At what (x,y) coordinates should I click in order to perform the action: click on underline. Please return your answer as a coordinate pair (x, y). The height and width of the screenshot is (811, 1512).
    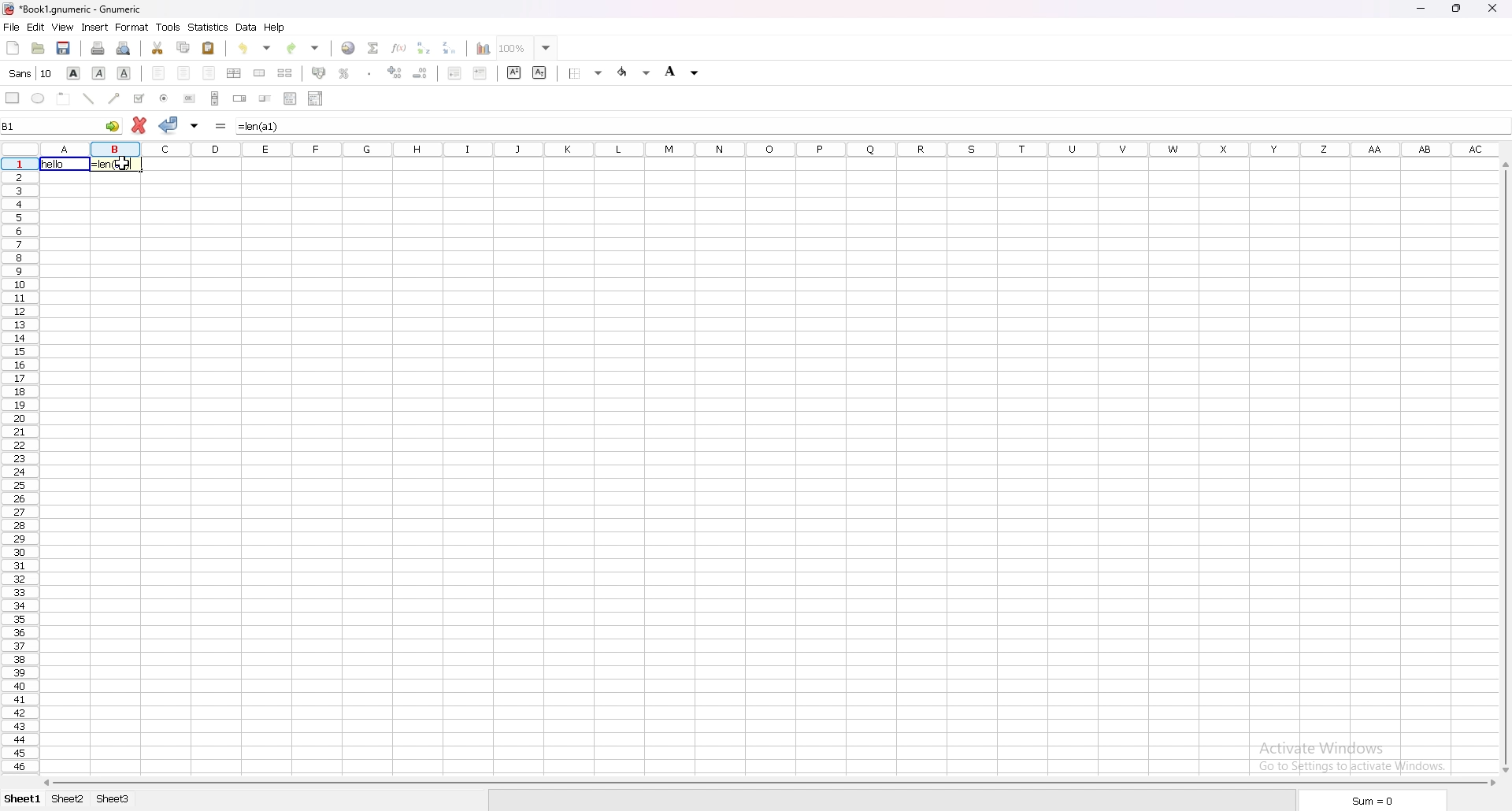
    Looking at the image, I should click on (125, 74).